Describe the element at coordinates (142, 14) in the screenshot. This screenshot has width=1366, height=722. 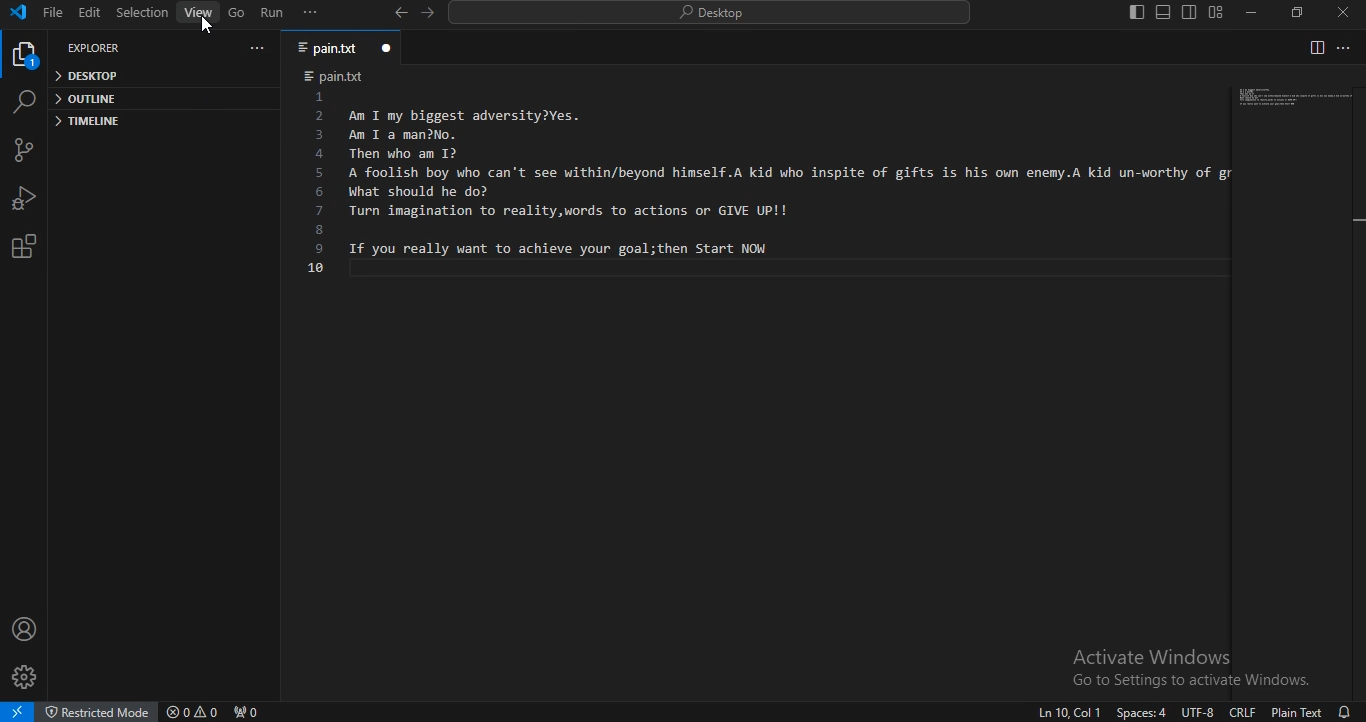
I see `selection` at that location.